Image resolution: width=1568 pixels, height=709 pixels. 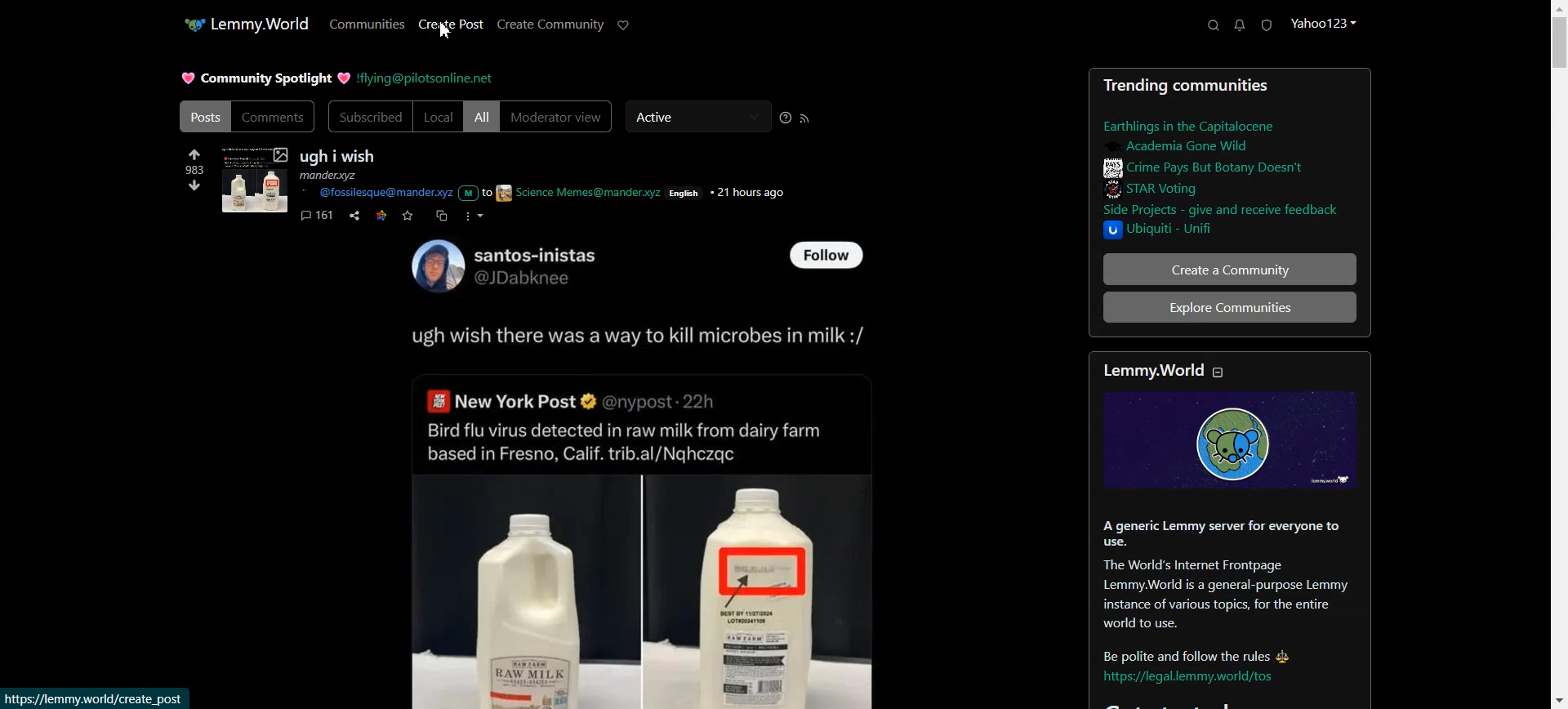 What do you see at coordinates (195, 185) in the screenshot?
I see `Down vote` at bounding box center [195, 185].